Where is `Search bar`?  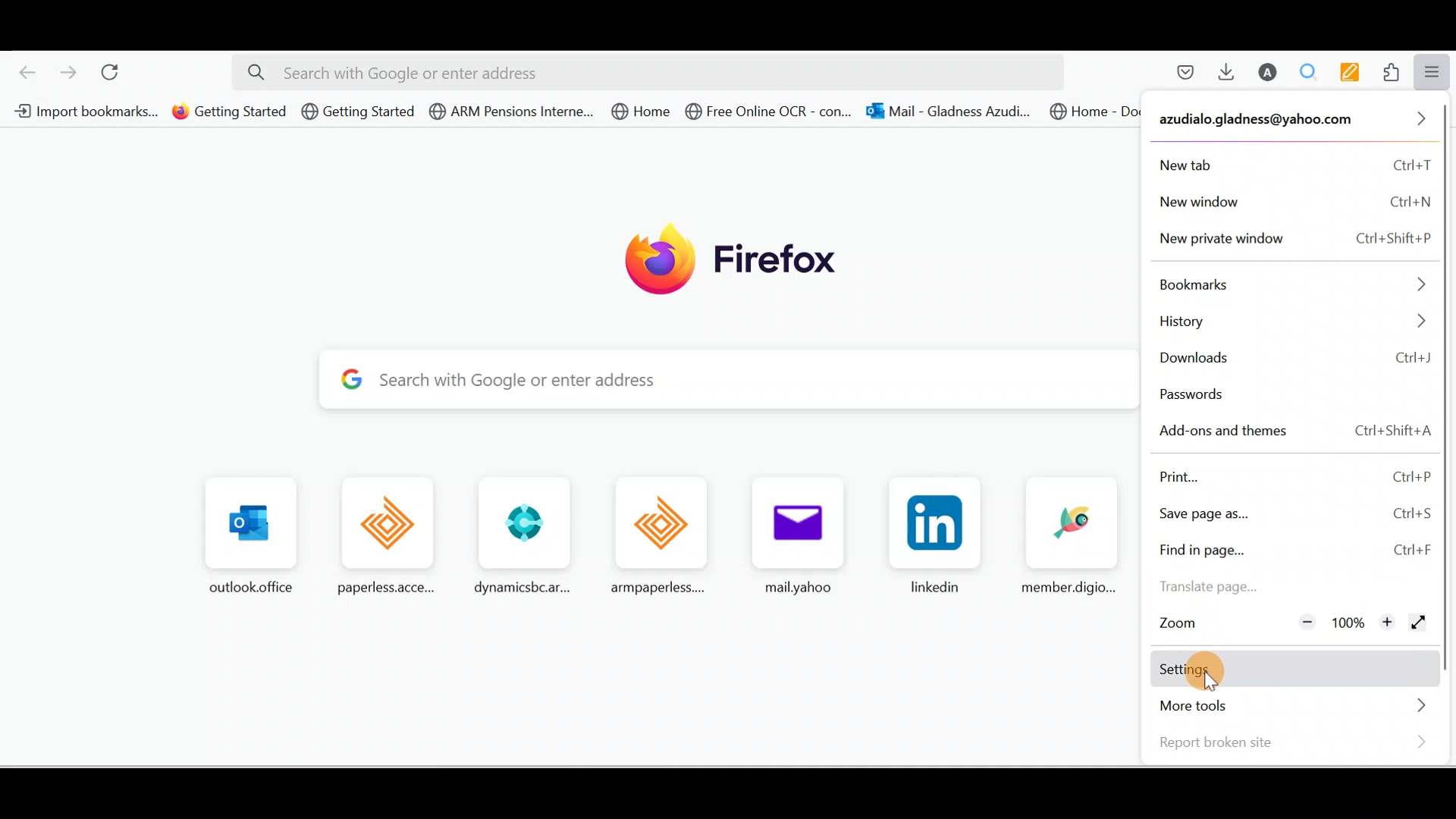 Search bar is located at coordinates (648, 73).